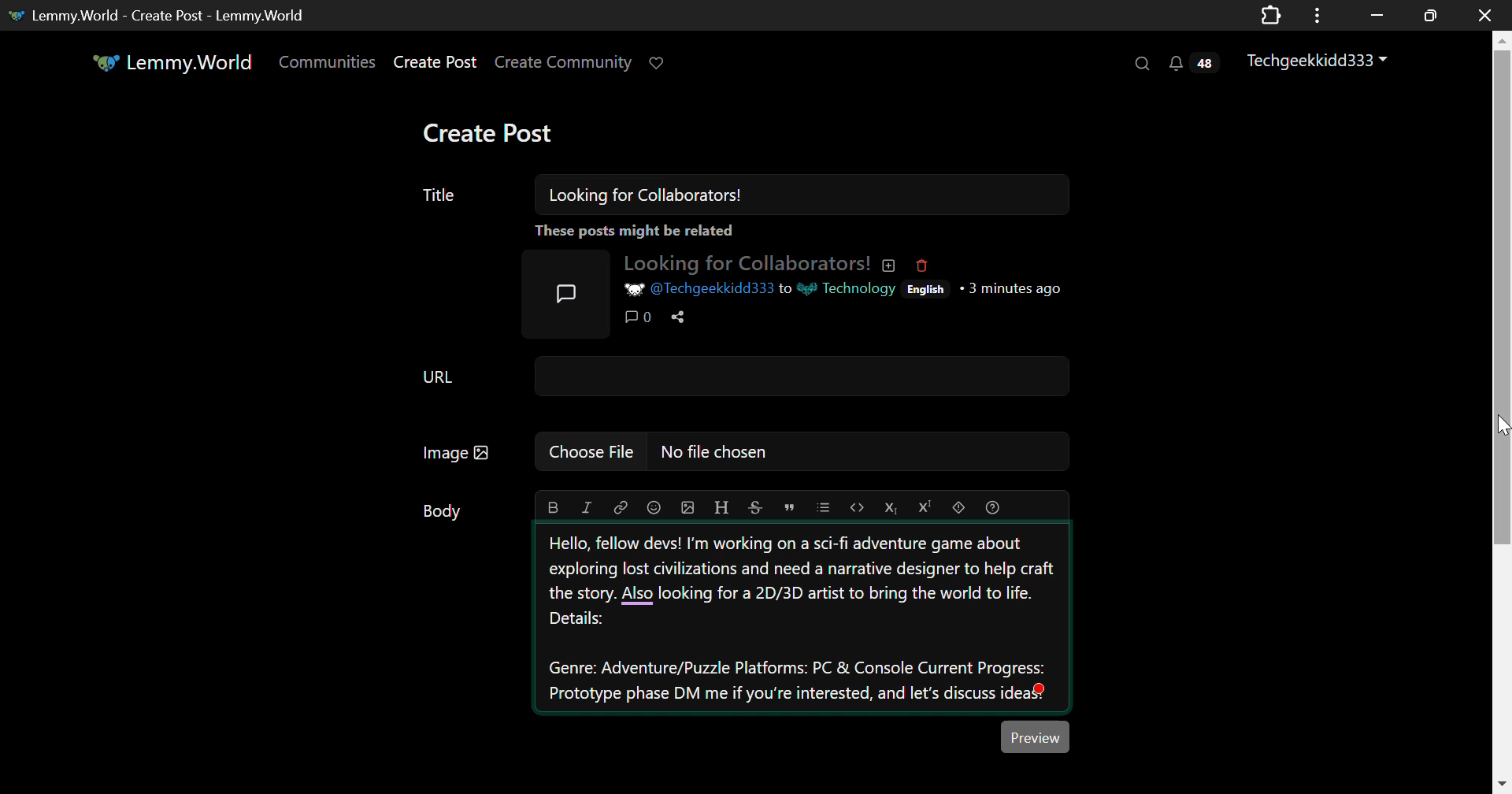 The height and width of the screenshot is (794, 1512). Describe the element at coordinates (1017, 288) in the screenshot. I see `3 minutes ago` at that location.